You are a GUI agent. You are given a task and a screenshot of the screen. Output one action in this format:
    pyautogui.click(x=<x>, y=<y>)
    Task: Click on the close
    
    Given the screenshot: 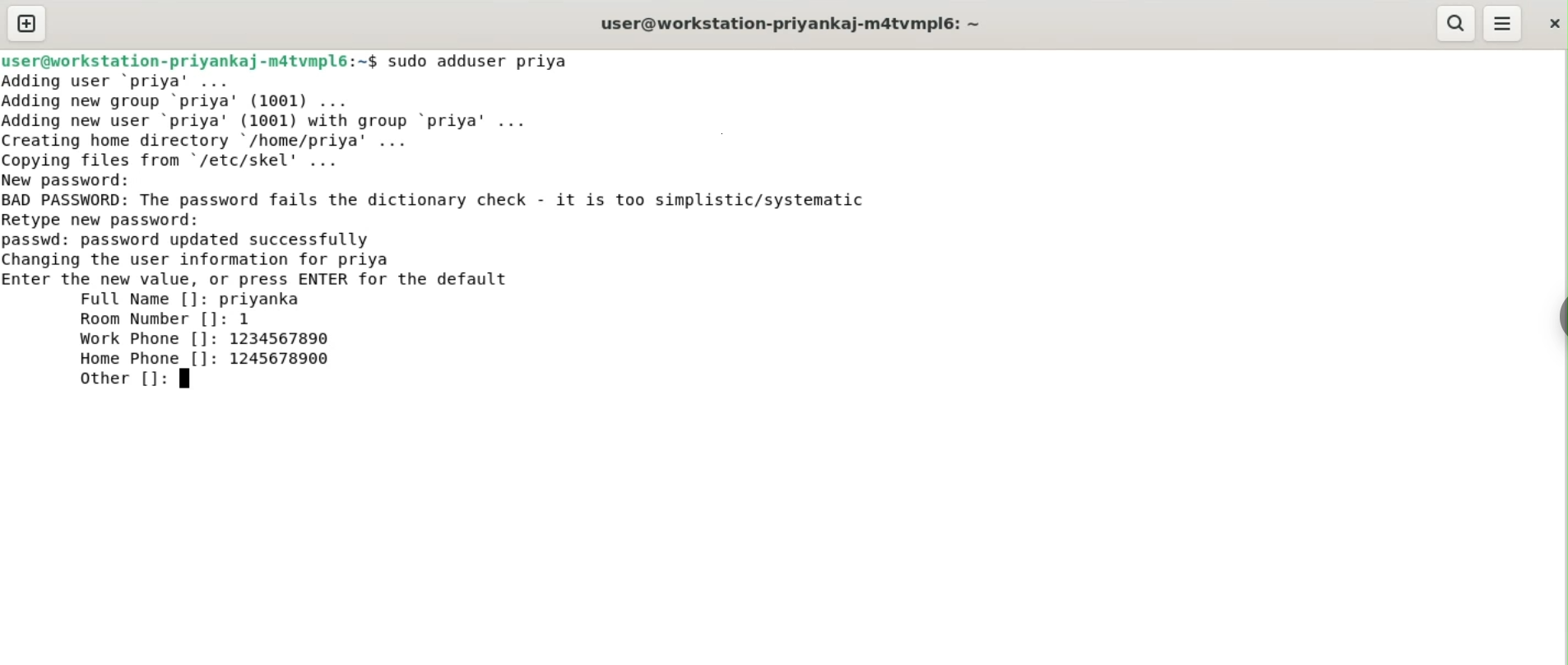 What is the action you would take?
    pyautogui.click(x=1552, y=19)
    